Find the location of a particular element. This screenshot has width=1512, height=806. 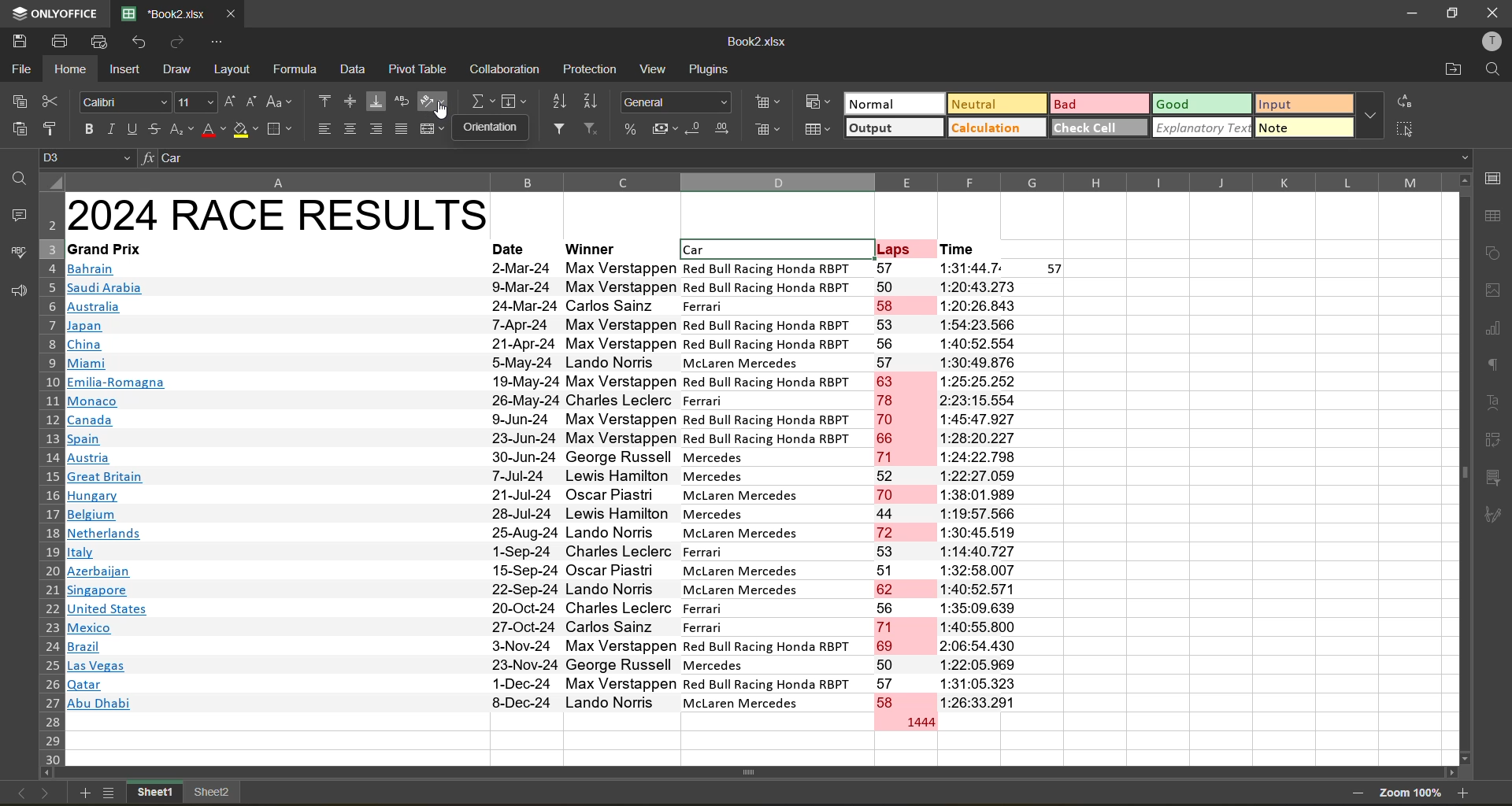

bold is located at coordinates (85, 130).